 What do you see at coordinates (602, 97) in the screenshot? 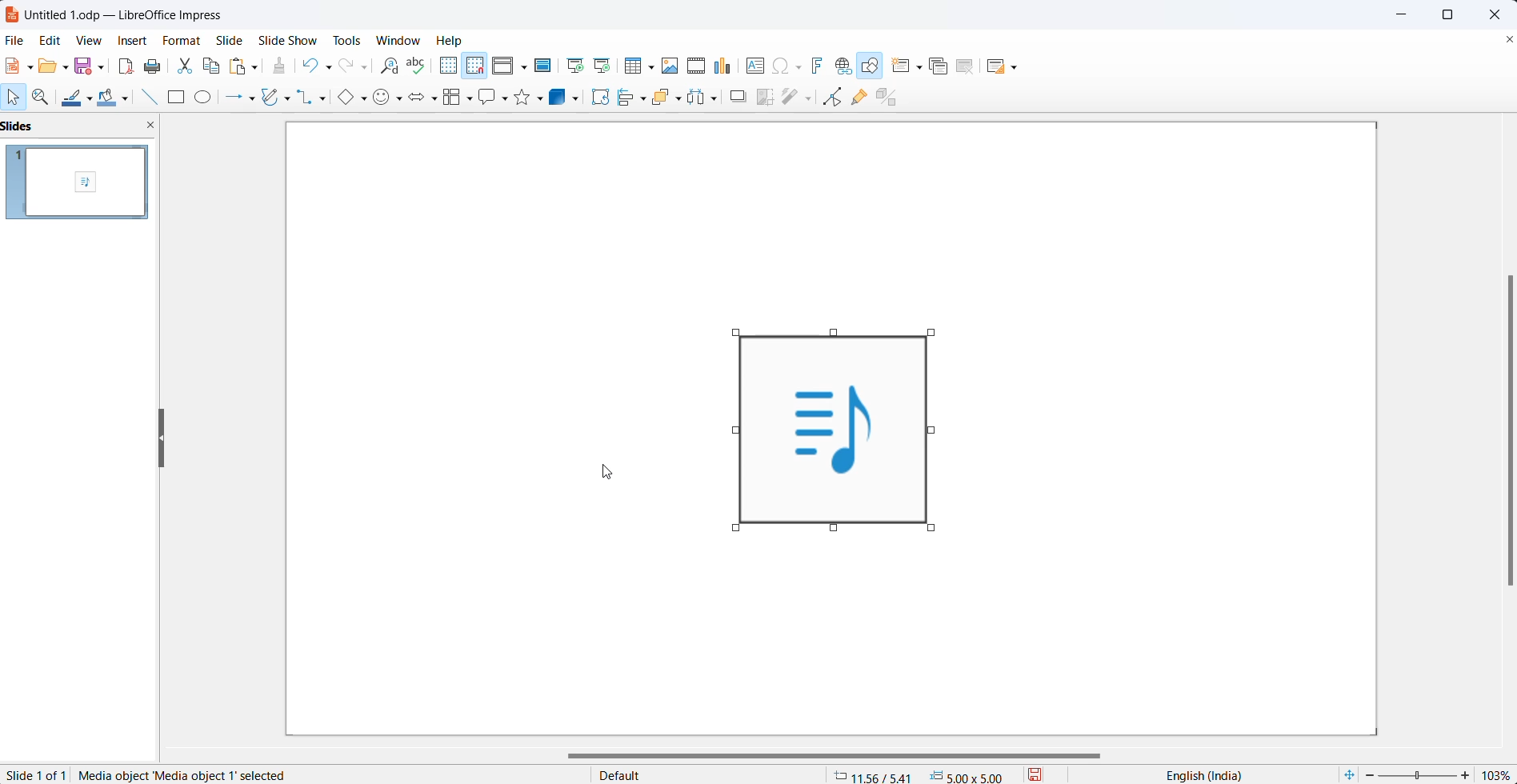
I see `rotate` at bounding box center [602, 97].